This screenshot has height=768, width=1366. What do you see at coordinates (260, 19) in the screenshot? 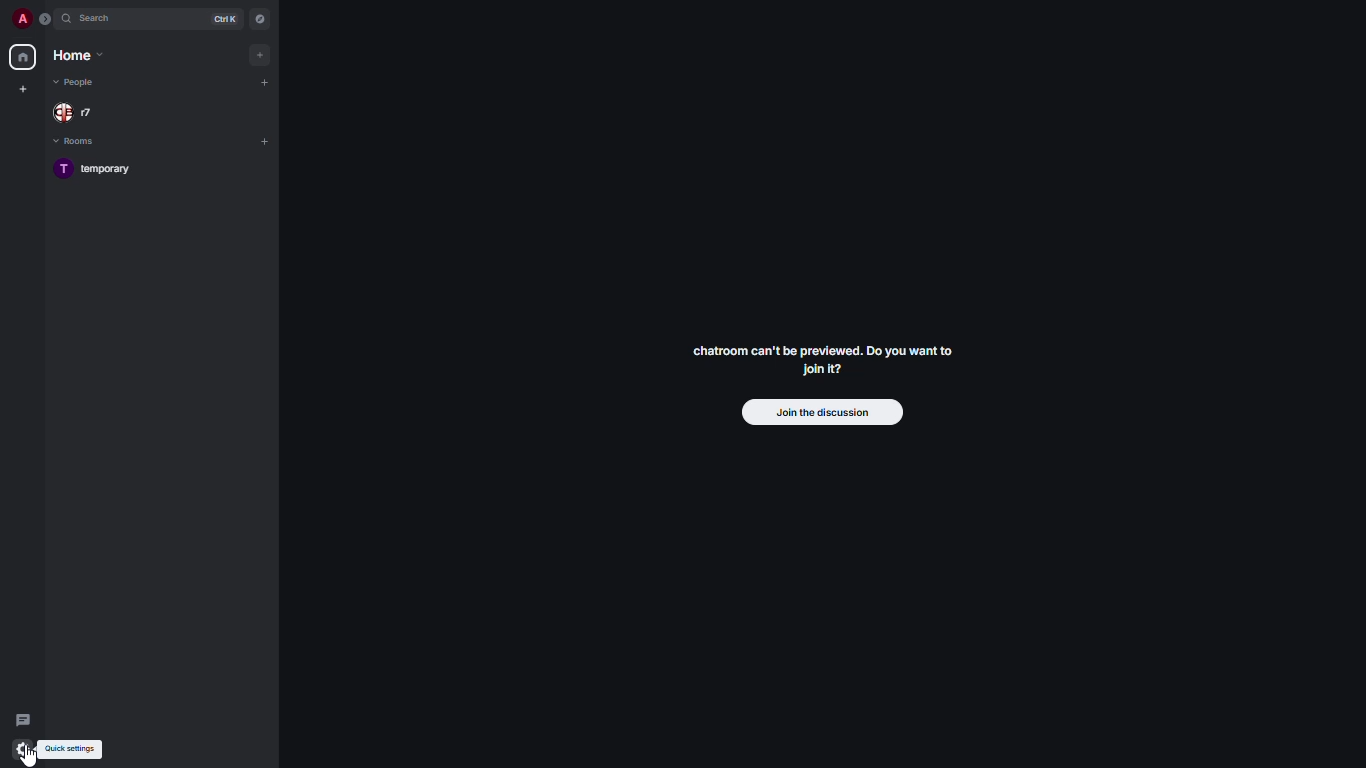
I see `navigator` at bounding box center [260, 19].